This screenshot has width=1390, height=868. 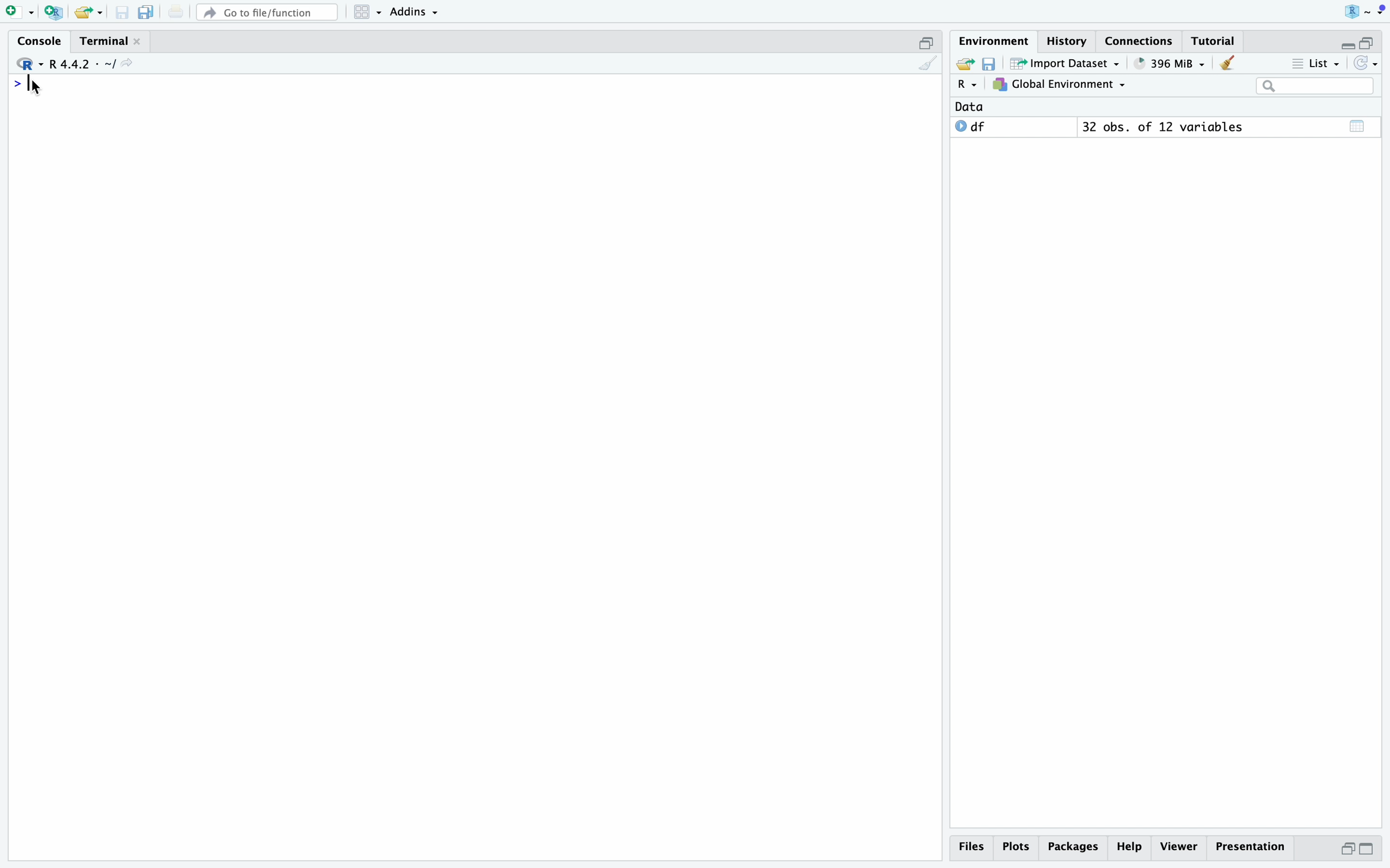 What do you see at coordinates (54, 12) in the screenshot?
I see `add R file` at bounding box center [54, 12].